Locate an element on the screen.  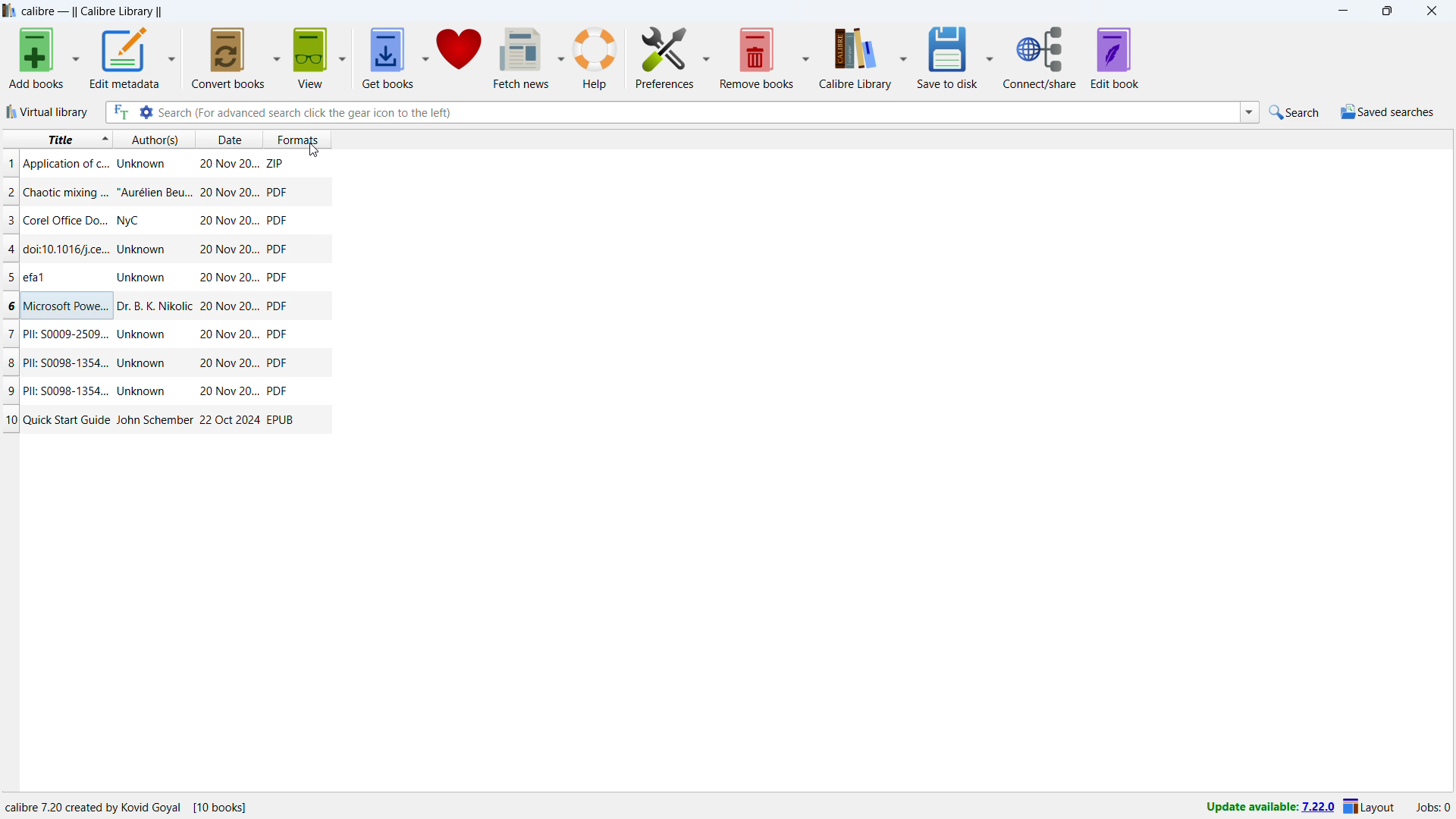
author is located at coordinates (145, 248).